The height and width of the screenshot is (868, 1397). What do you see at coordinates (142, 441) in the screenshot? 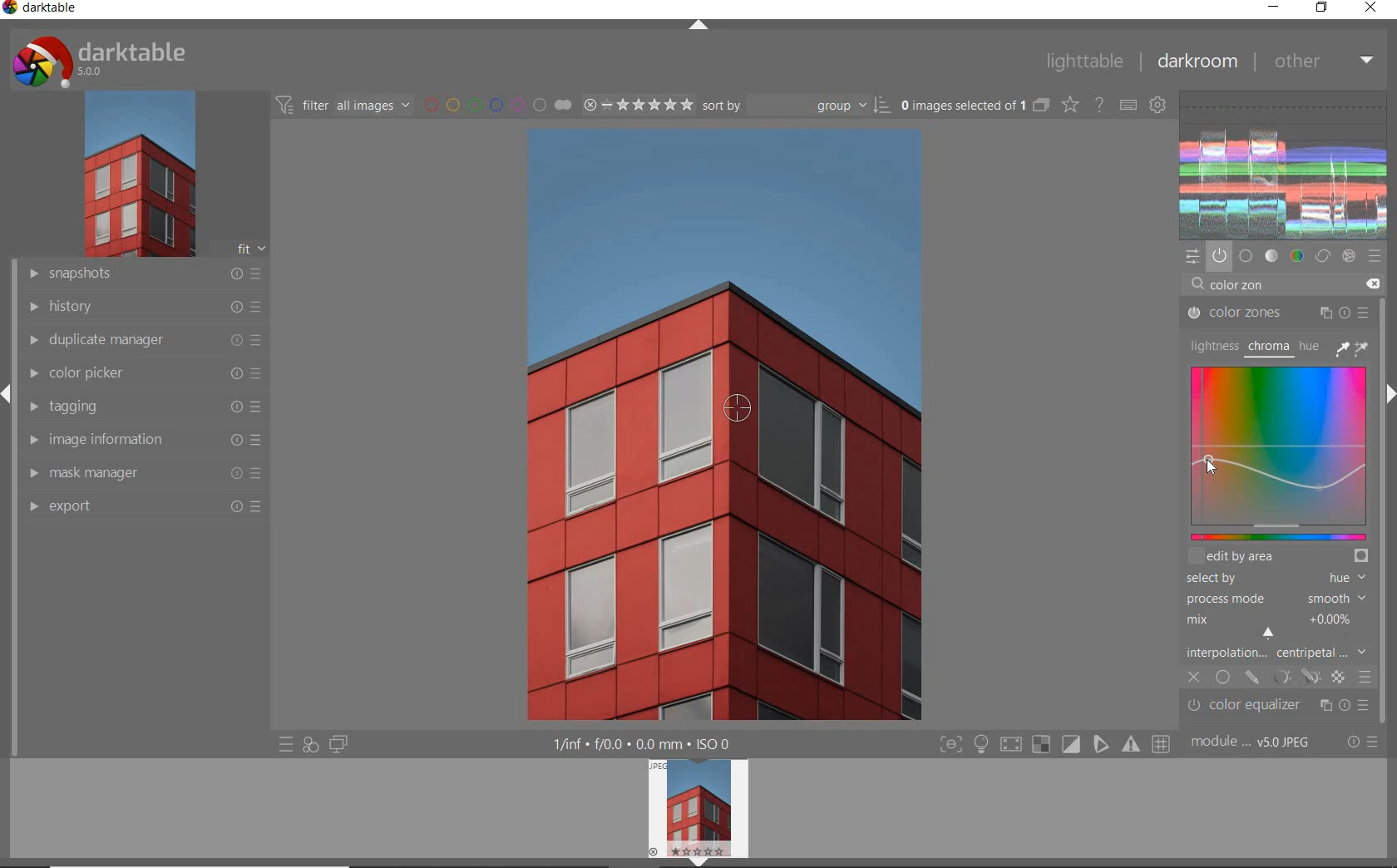
I see `image information` at bounding box center [142, 441].